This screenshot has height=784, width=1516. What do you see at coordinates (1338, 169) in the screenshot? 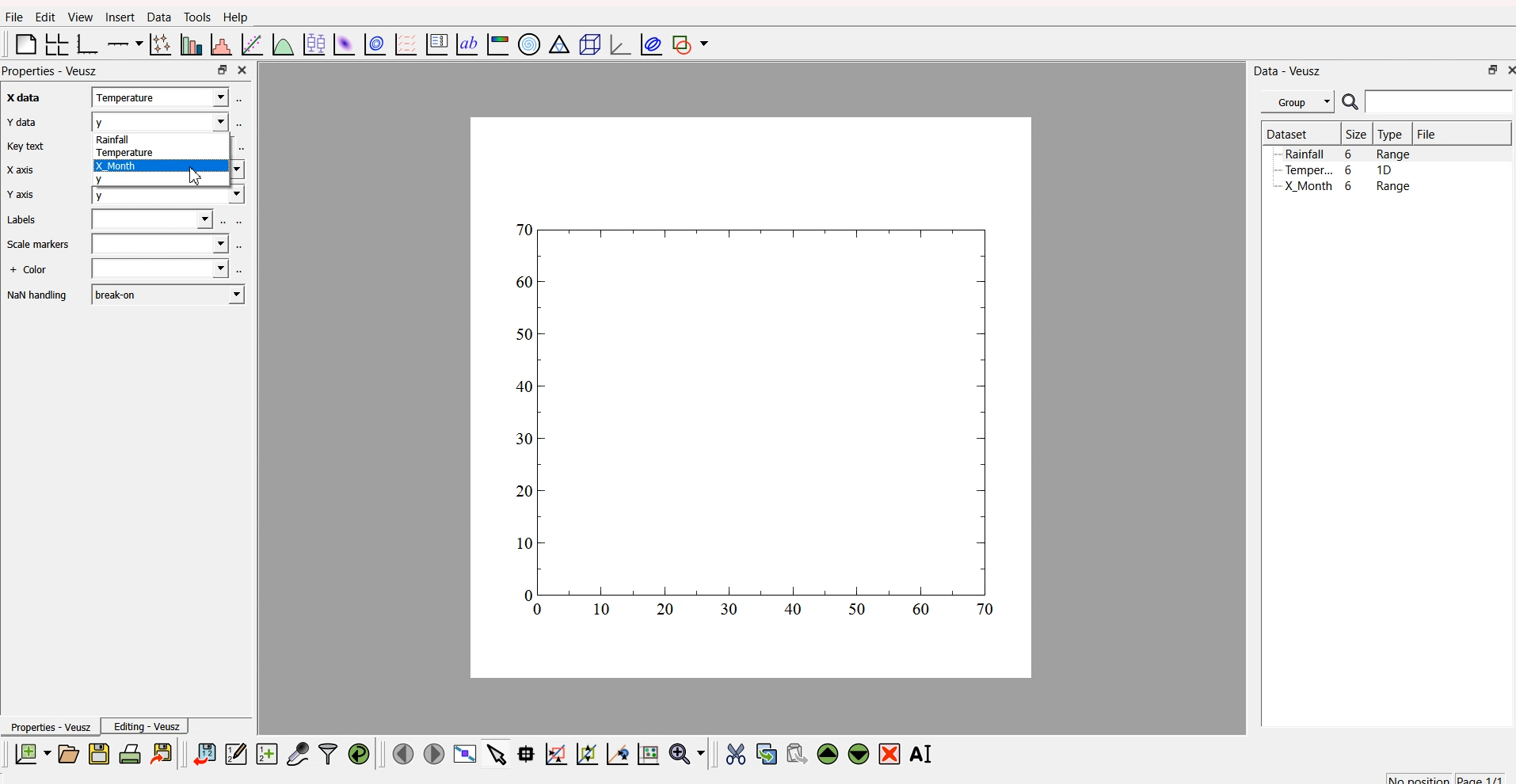
I see `Temper... 6 1D` at bounding box center [1338, 169].